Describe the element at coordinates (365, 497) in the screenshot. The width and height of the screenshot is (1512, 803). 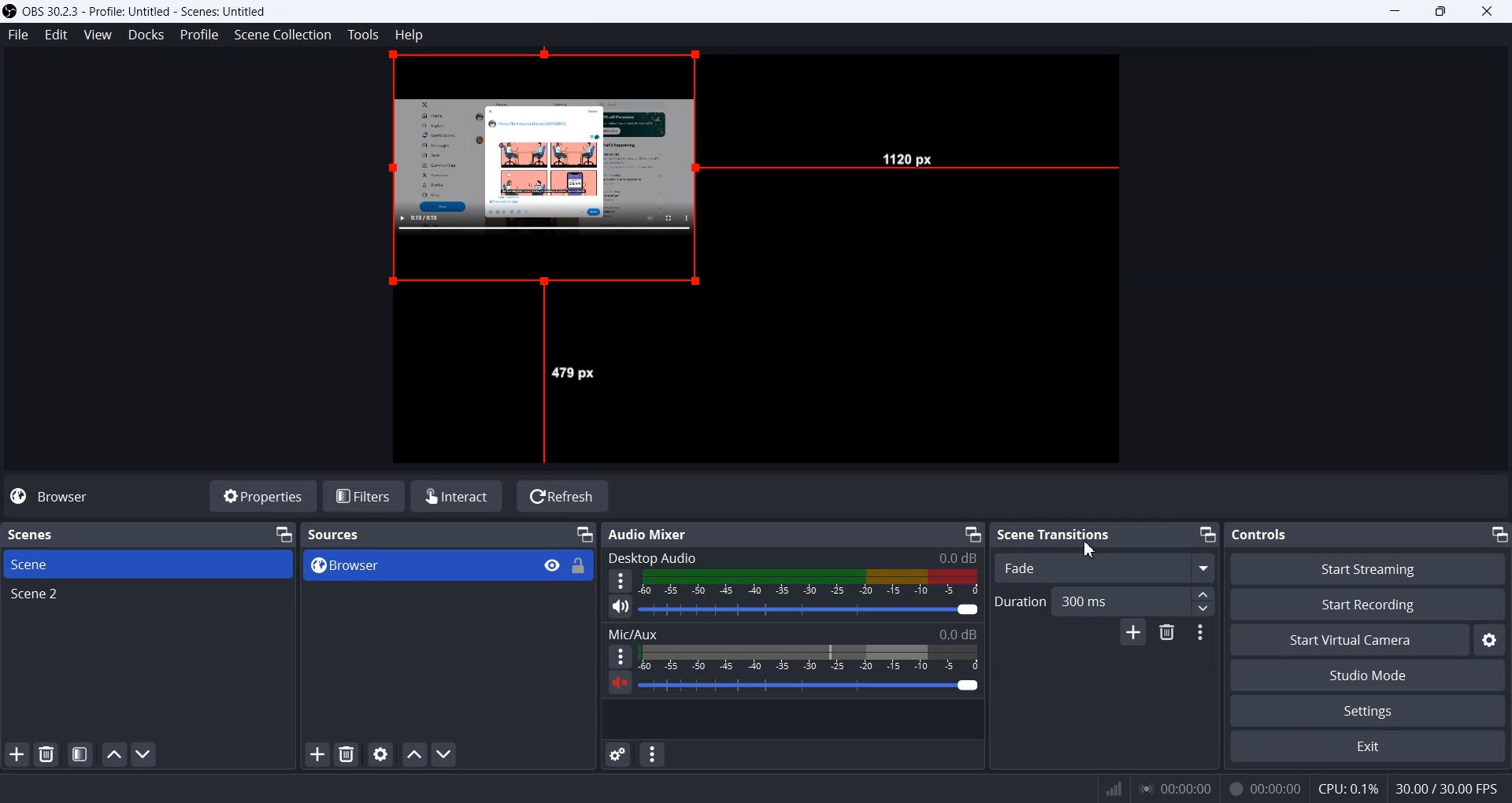
I see `Filters` at that location.